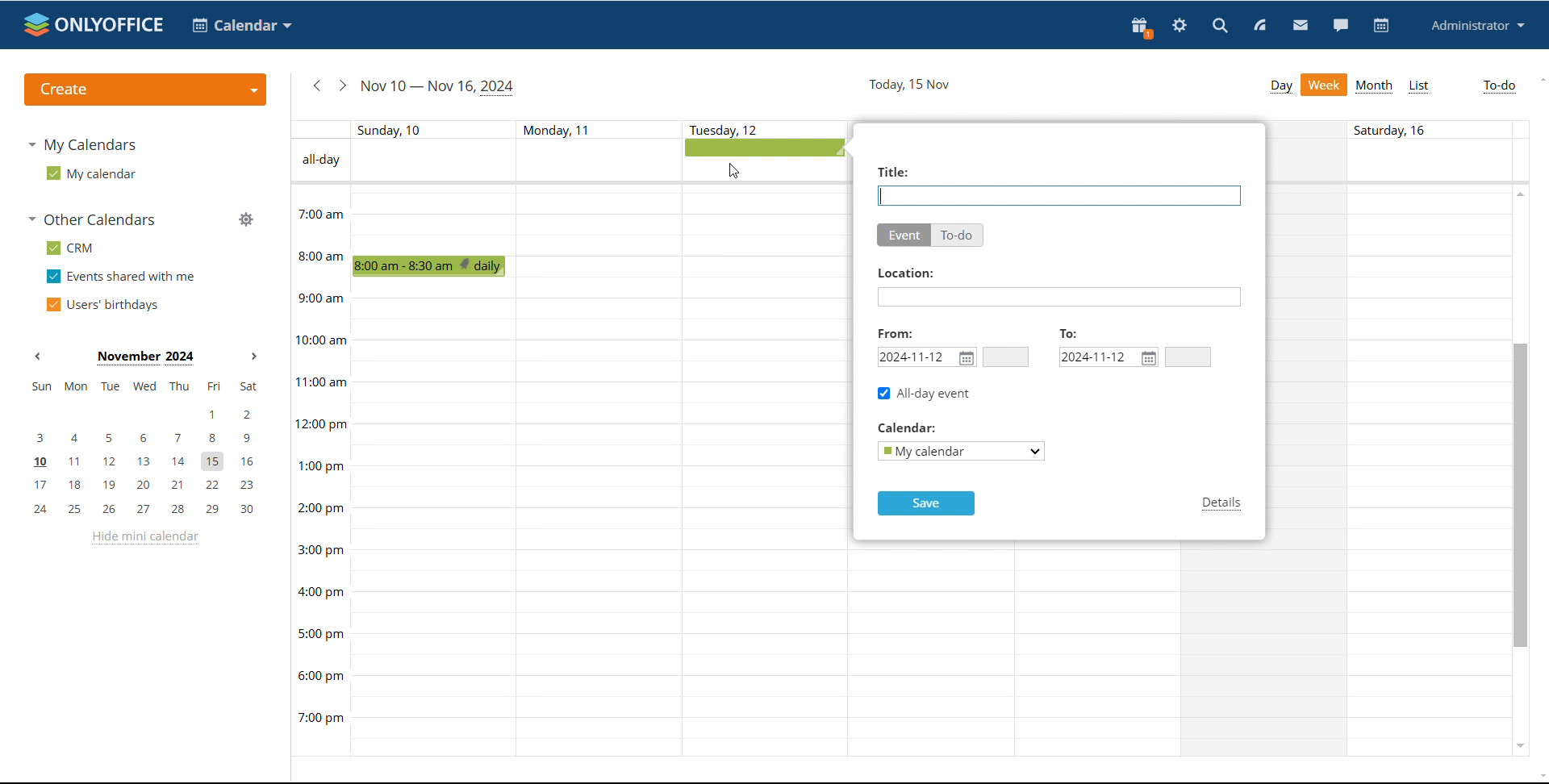 This screenshot has height=784, width=1549. I want to click on end time, so click(1188, 357).